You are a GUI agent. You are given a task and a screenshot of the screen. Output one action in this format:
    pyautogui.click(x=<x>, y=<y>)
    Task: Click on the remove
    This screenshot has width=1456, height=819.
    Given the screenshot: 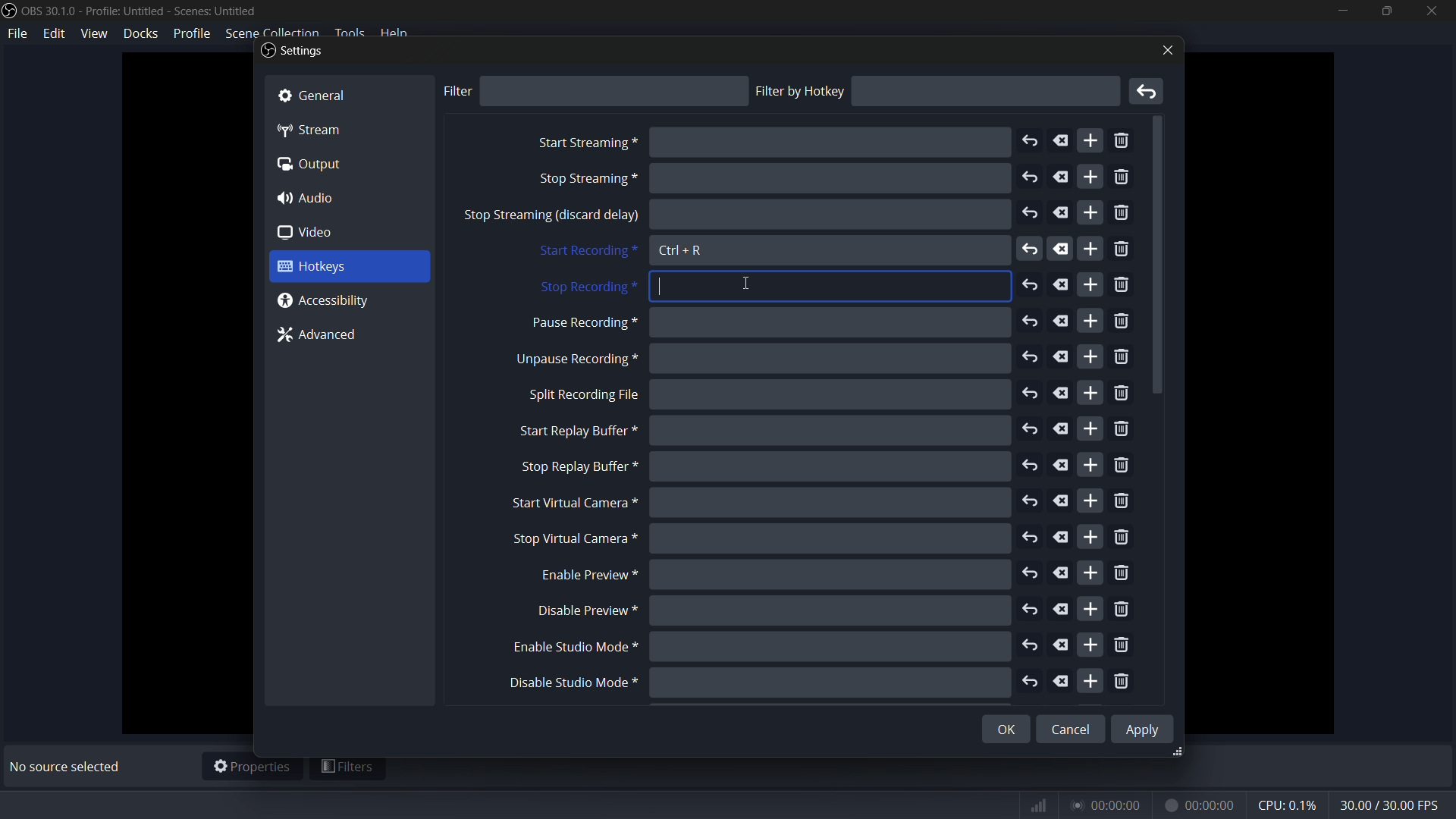 What is the action you would take?
    pyautogui.click(x=1121, y=359)
    